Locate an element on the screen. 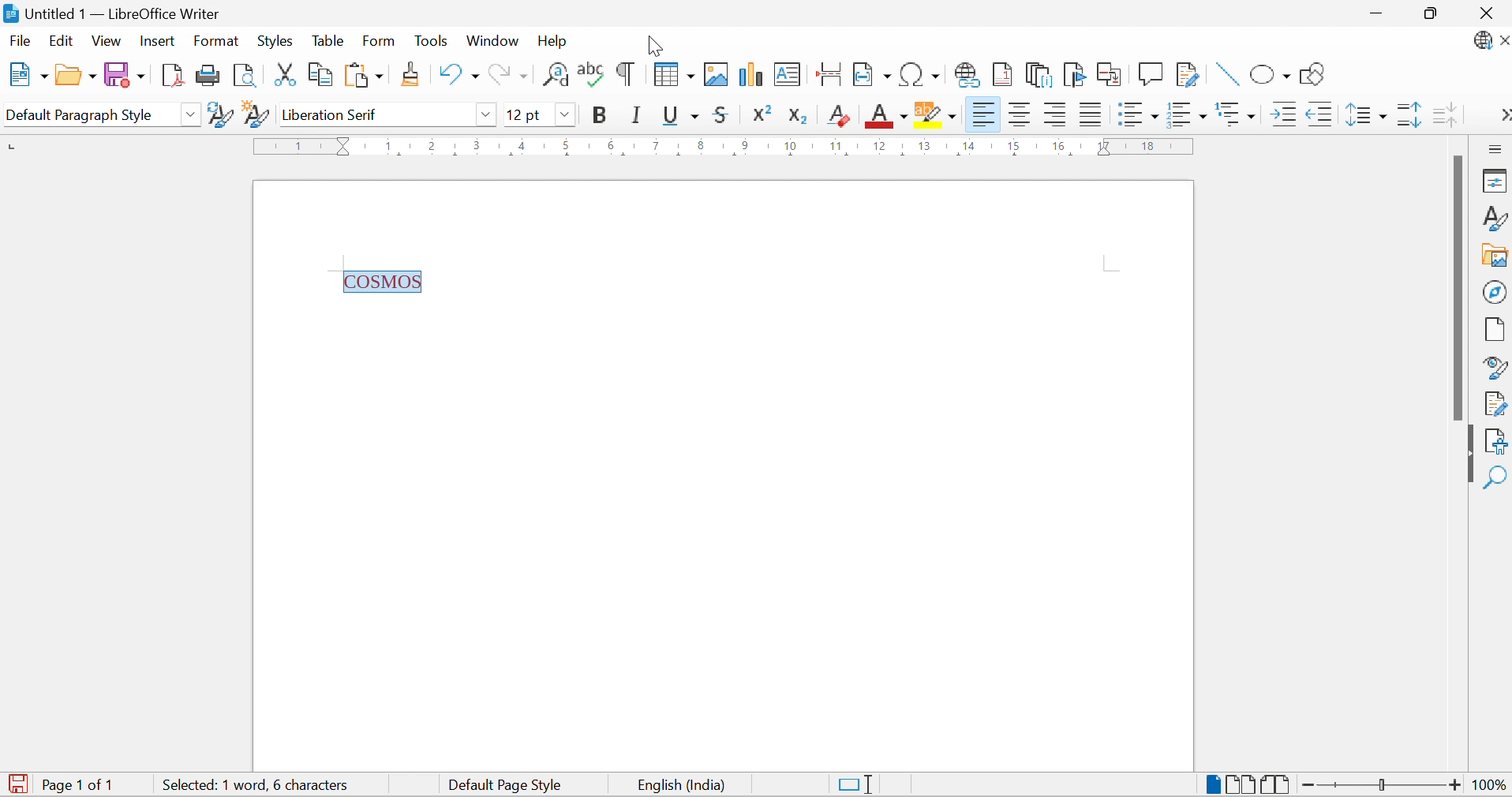 The image size is (1512, 797). 1 is located at coordinates (389, 144).